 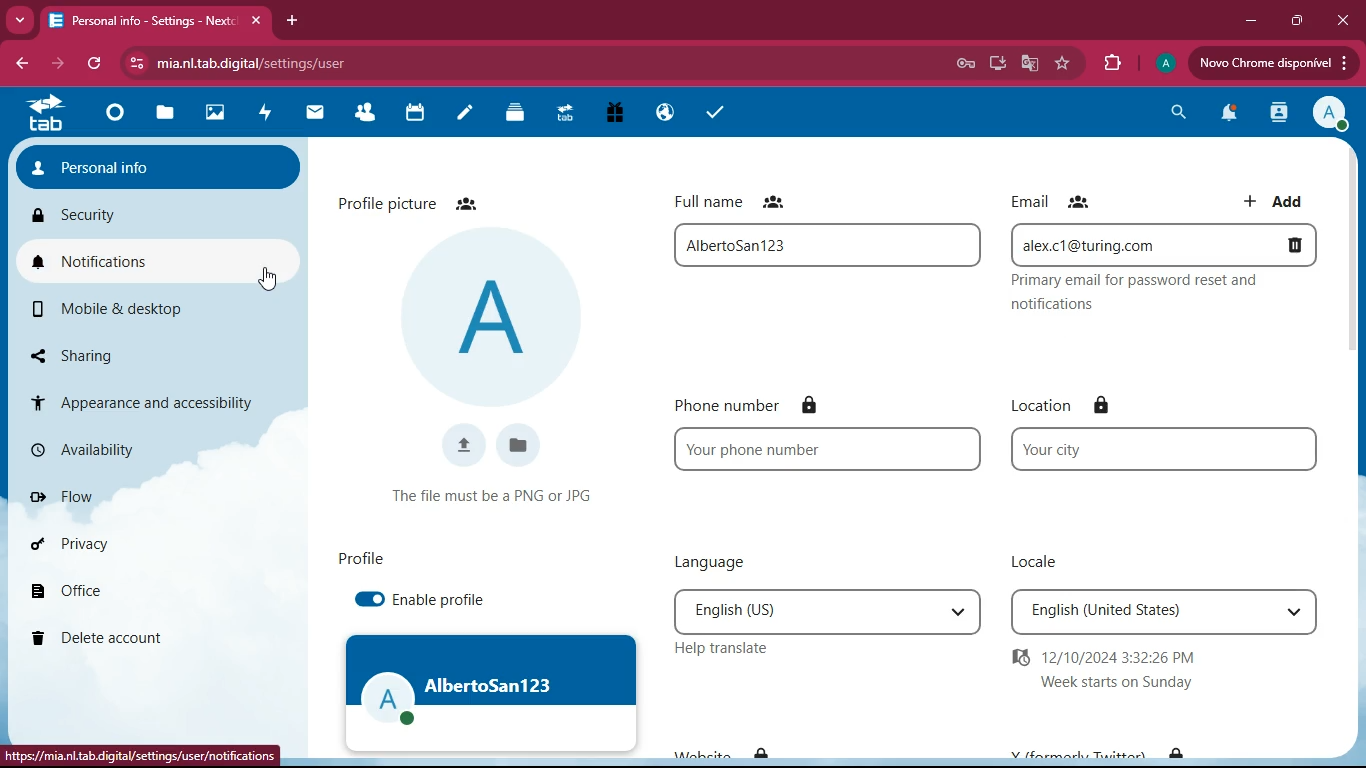 I want to click on extensions, so click(x=1107, y=61).